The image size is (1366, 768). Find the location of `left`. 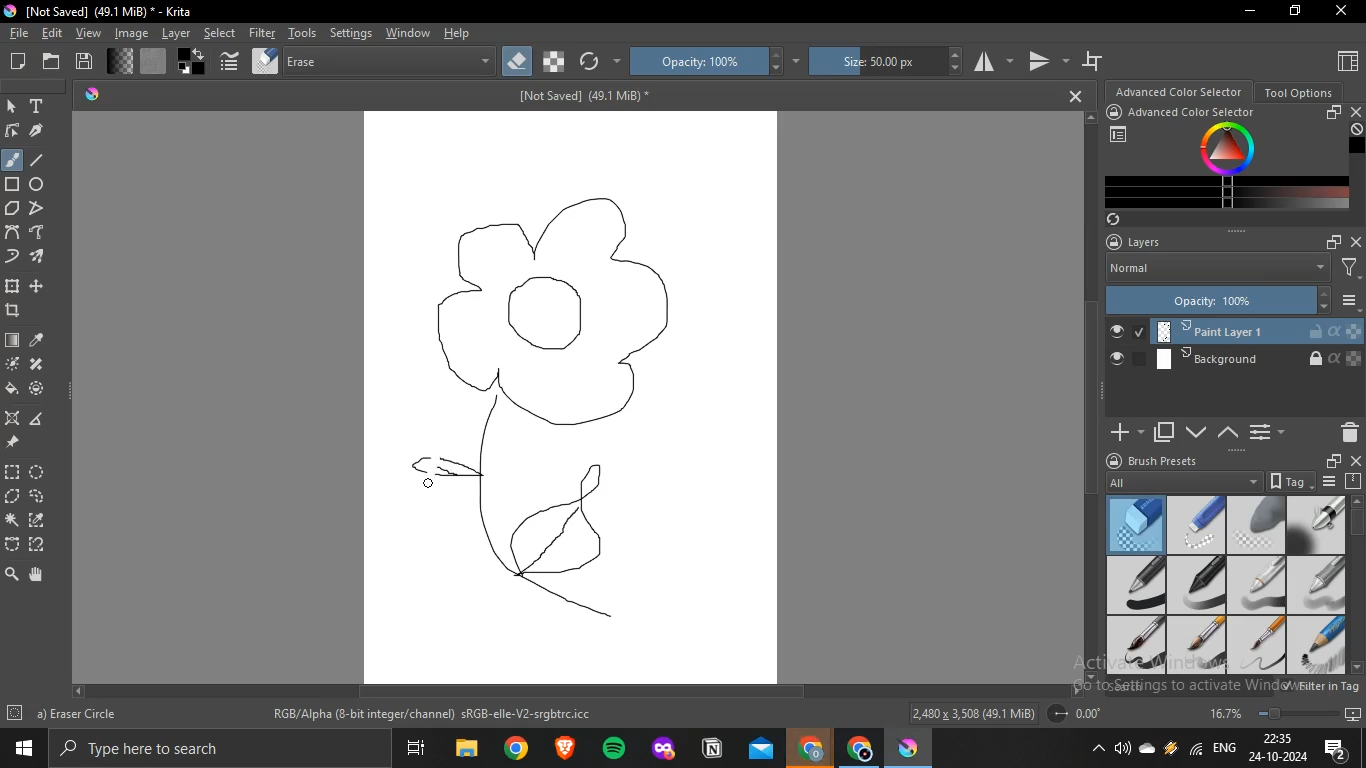

left is located at coordinates (77, 690).